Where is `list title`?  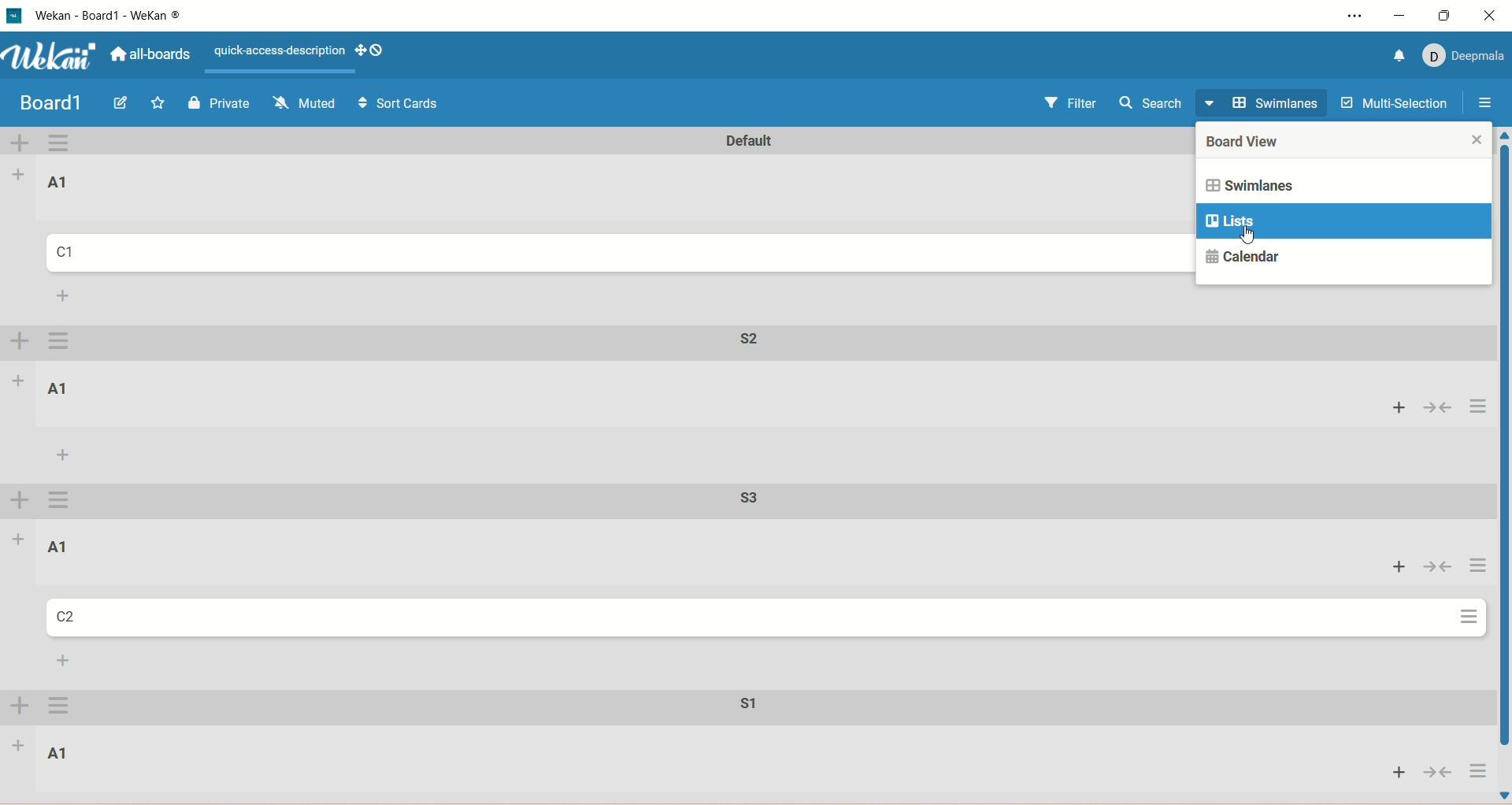
list title is located at coordinates (64, 183).